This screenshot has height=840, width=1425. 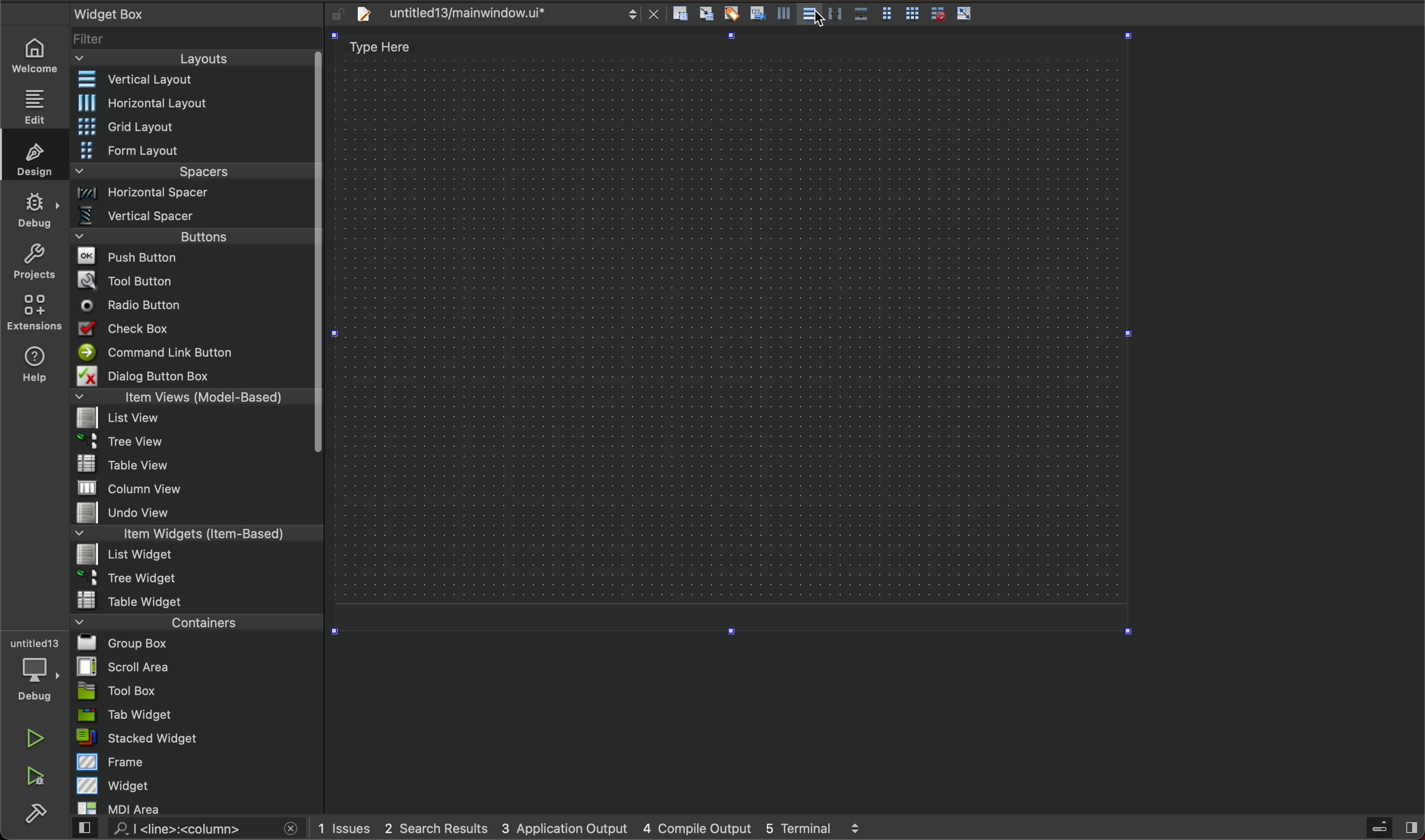 I want to click on list widget, so click(x=193, y=556).